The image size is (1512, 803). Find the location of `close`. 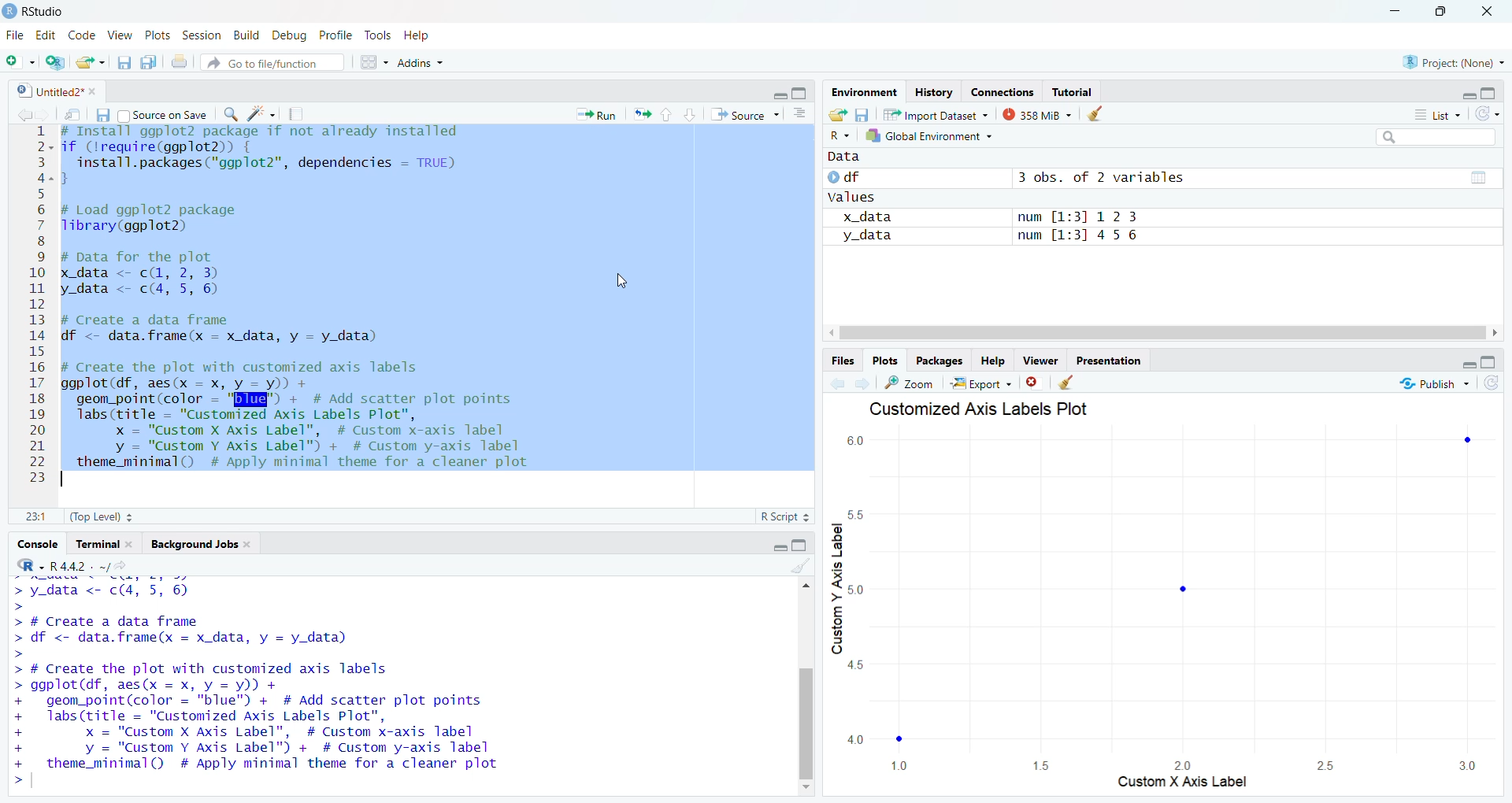

close is located at coordinates (1494, 11).